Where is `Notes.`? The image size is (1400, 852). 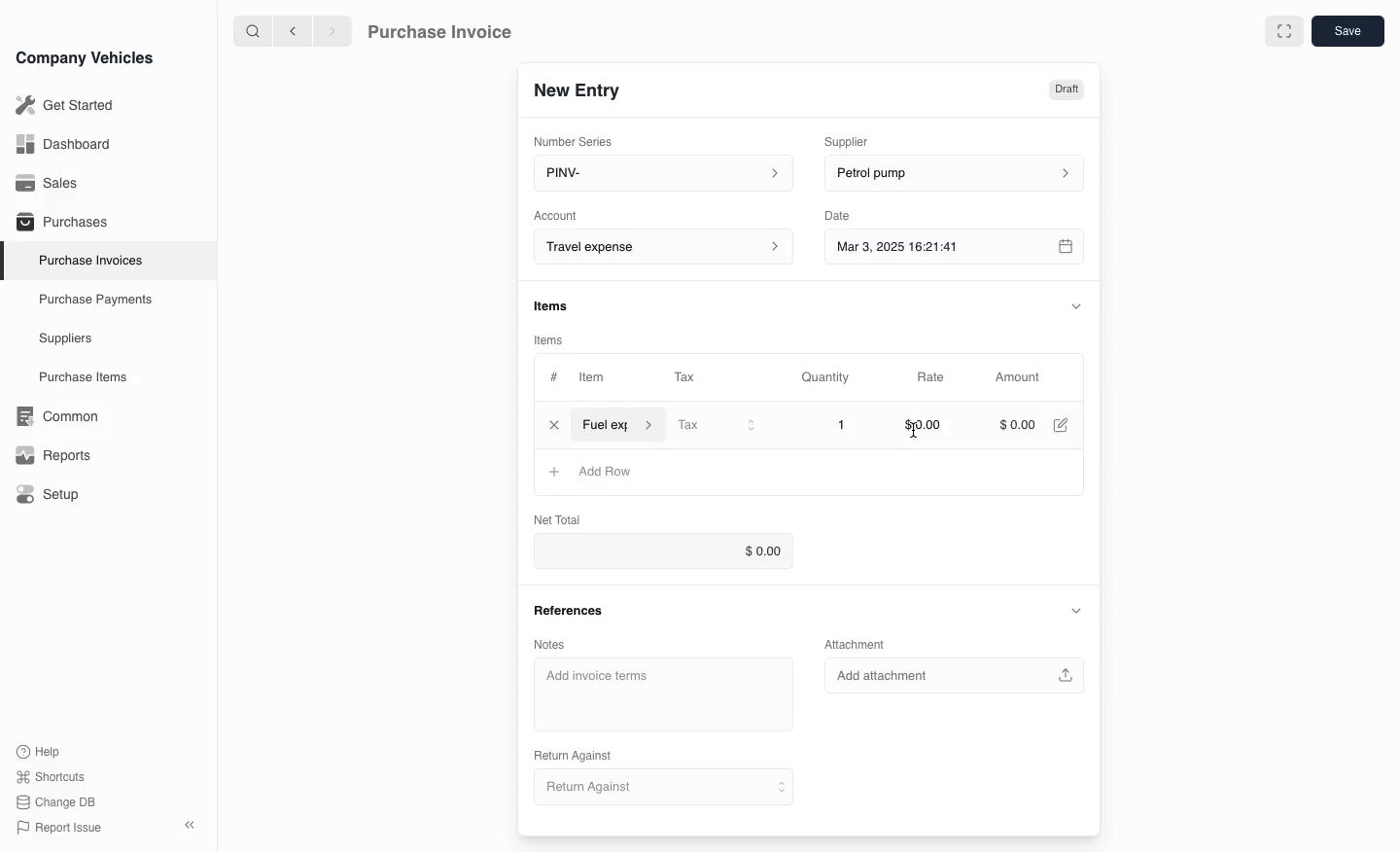 Notes. is located at coordinates (561, 641).